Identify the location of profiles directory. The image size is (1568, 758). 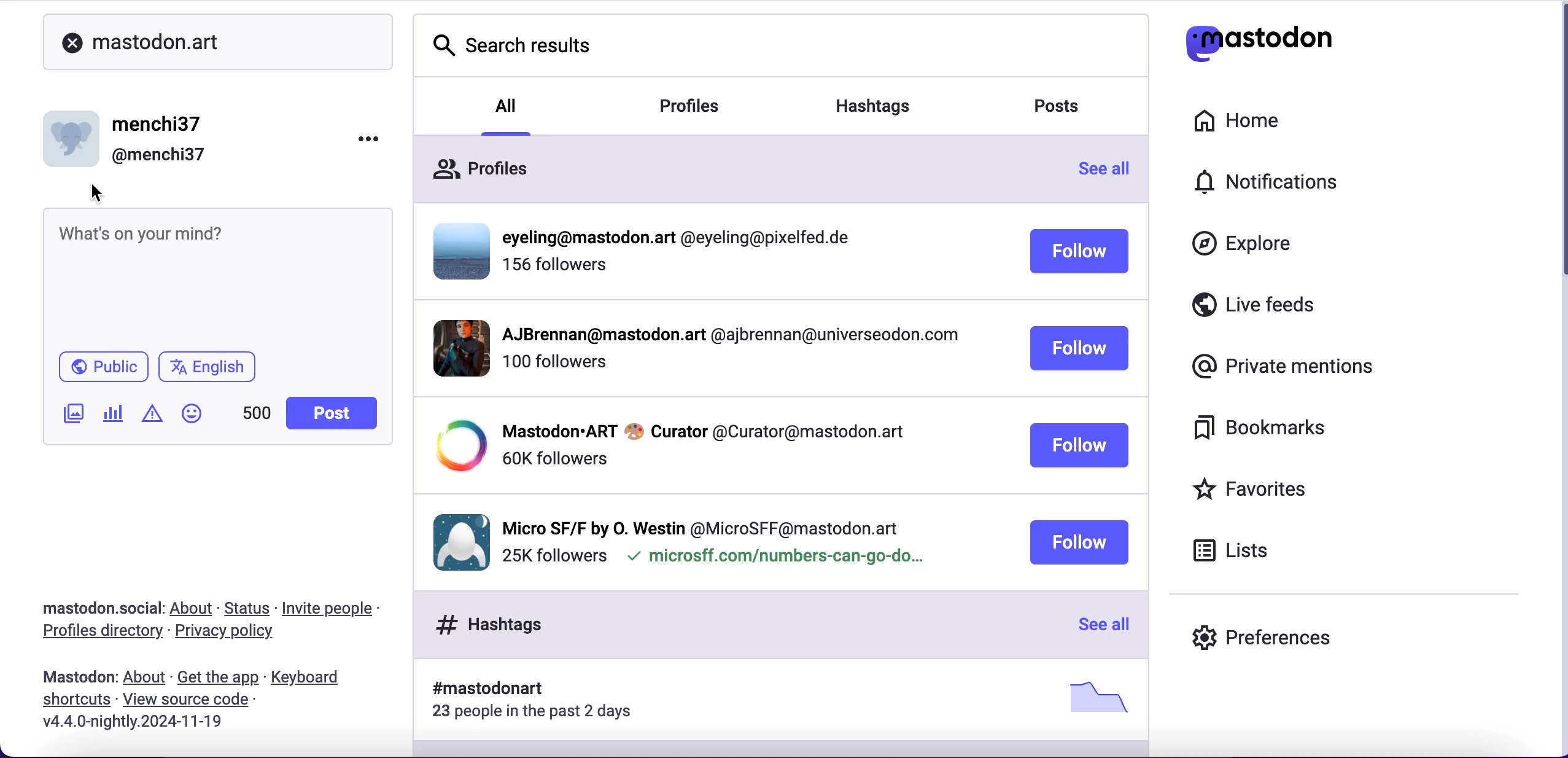
(100, 633).